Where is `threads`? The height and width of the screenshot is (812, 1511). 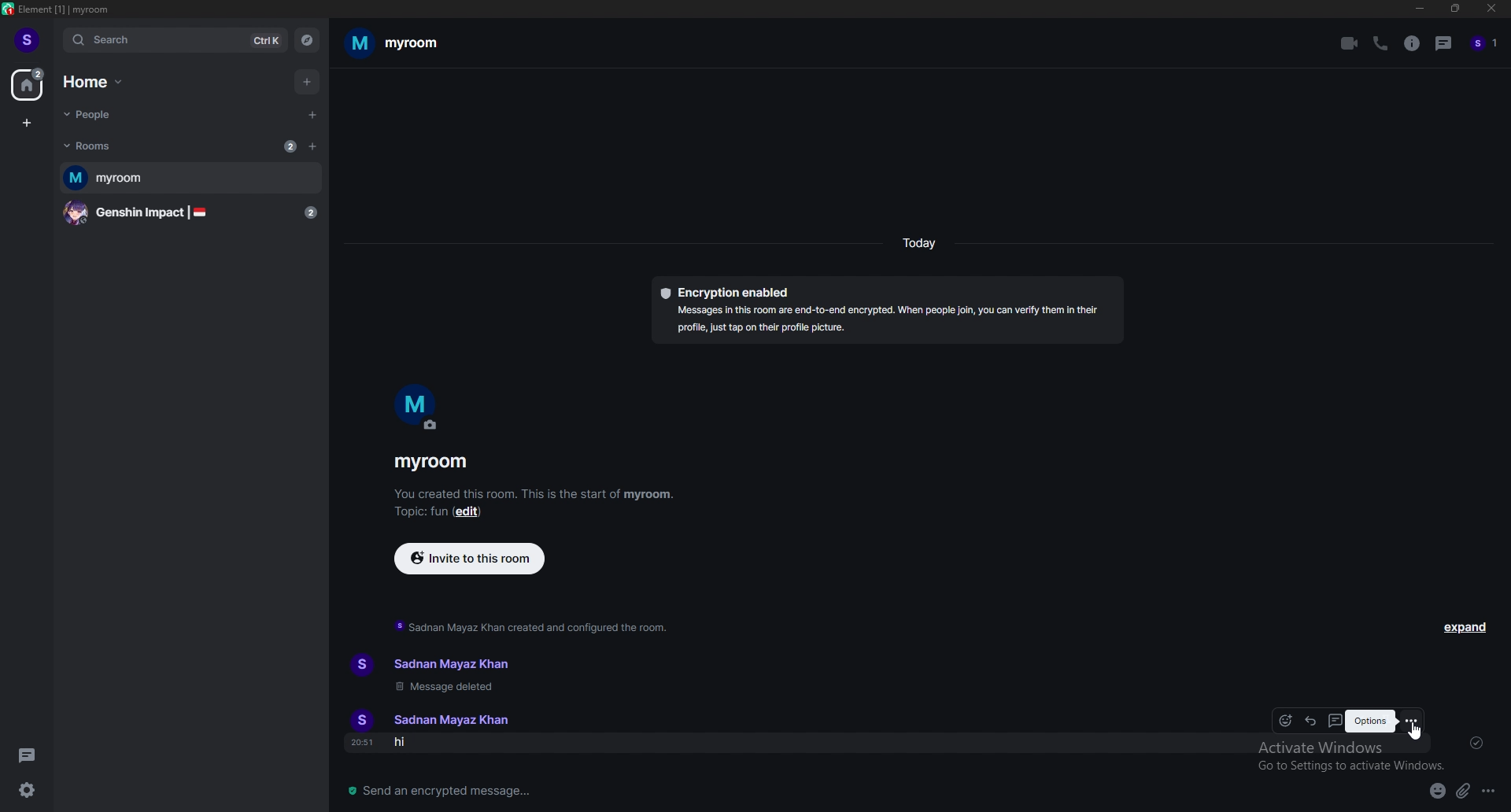 threads is located at coordinates (1445, 42).